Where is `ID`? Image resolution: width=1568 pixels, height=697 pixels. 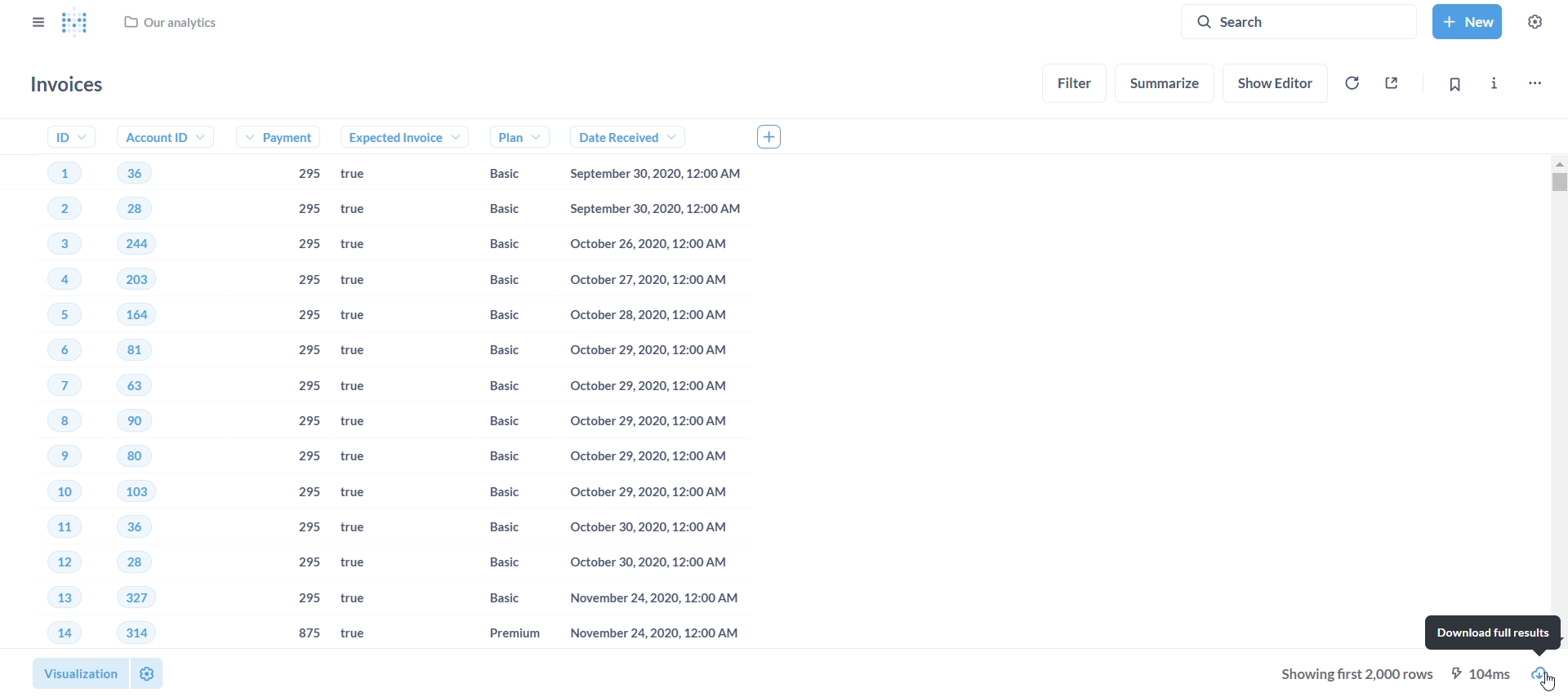
ID is located at coordinates (62, 136).